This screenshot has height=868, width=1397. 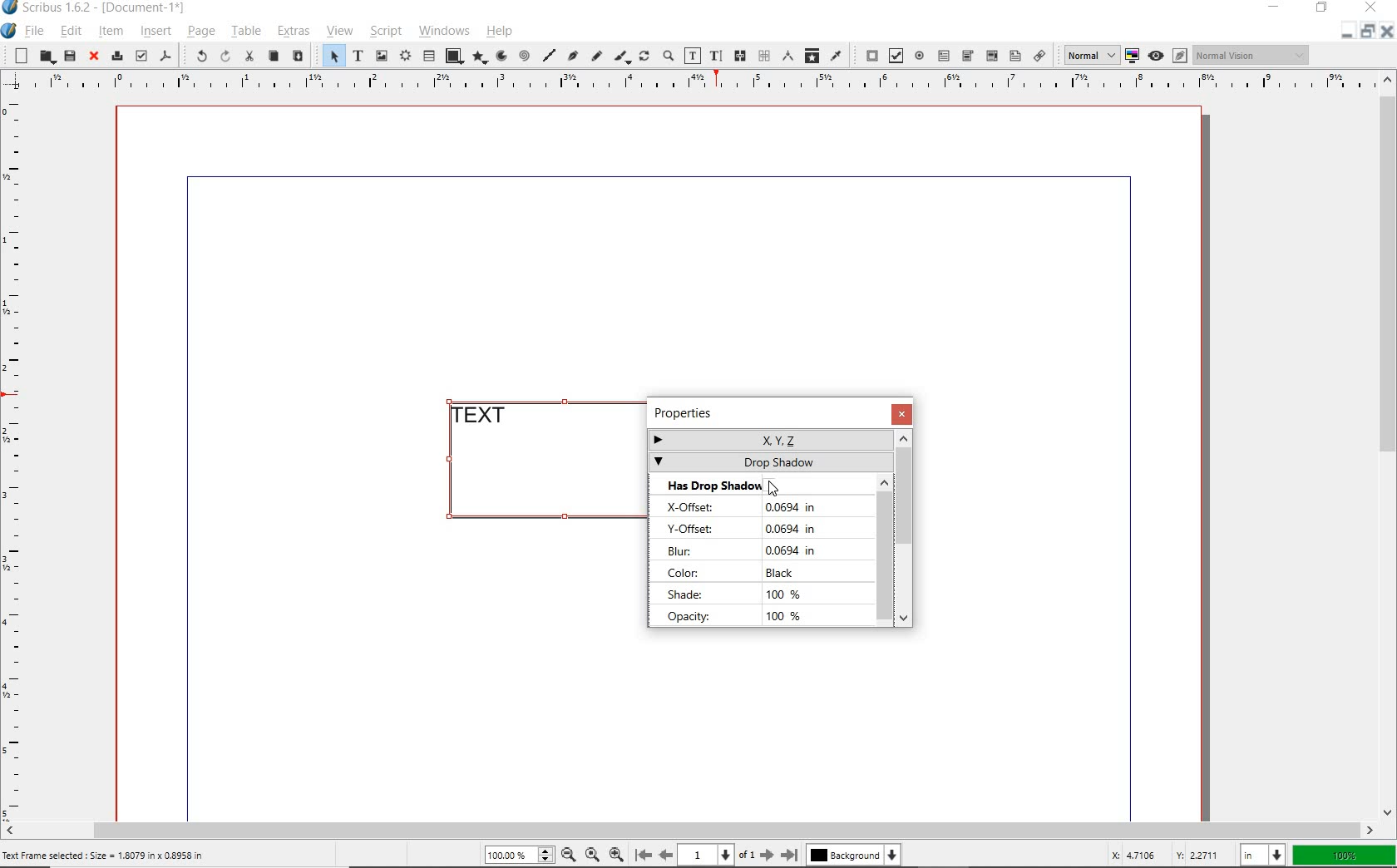 What do you see at coordinates (385, 30) in the screenshot?
I see `script` at bounding box center [385, 30].